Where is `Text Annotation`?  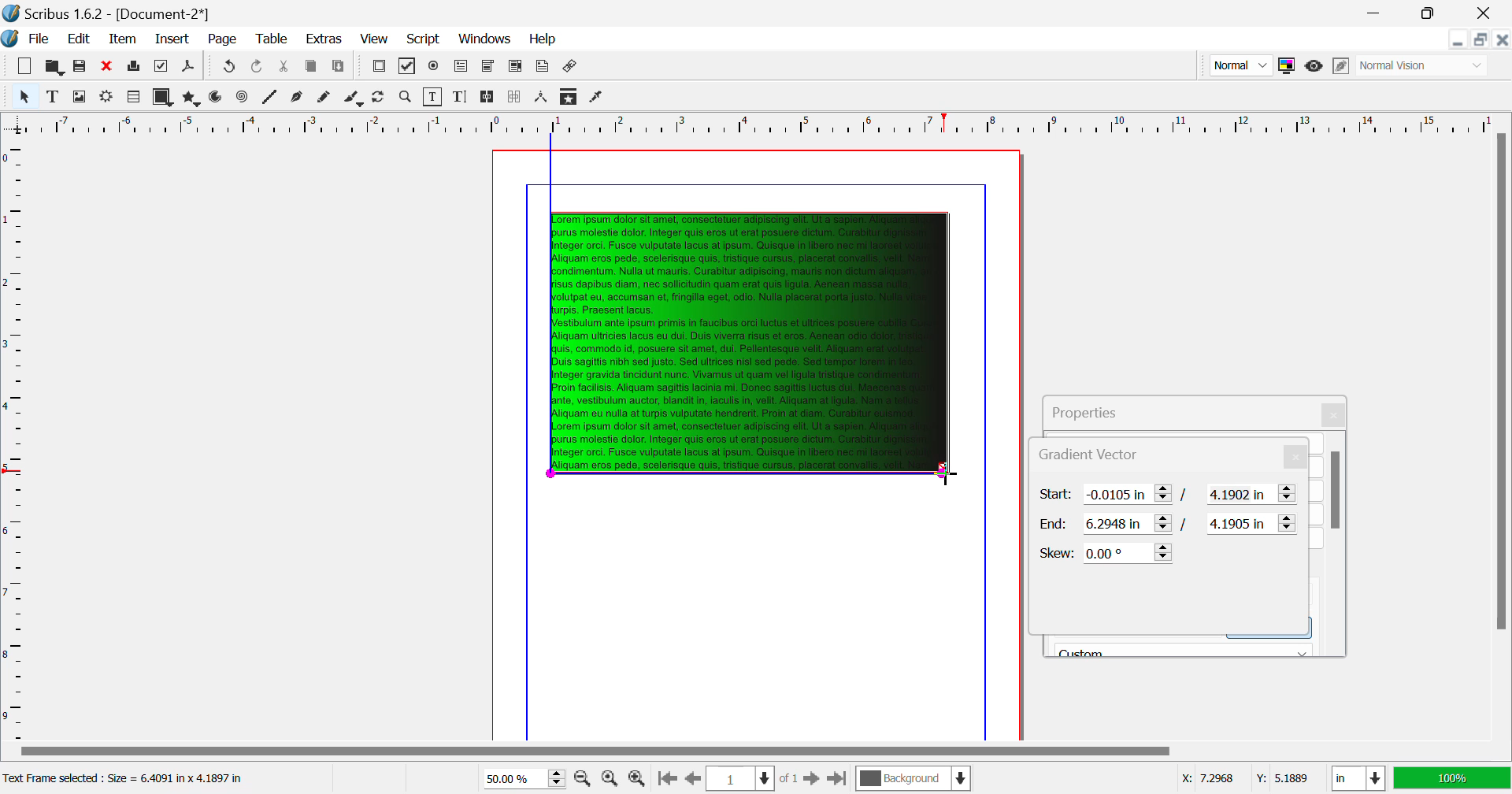 Text Annotation is located at coordinates (542, 68).